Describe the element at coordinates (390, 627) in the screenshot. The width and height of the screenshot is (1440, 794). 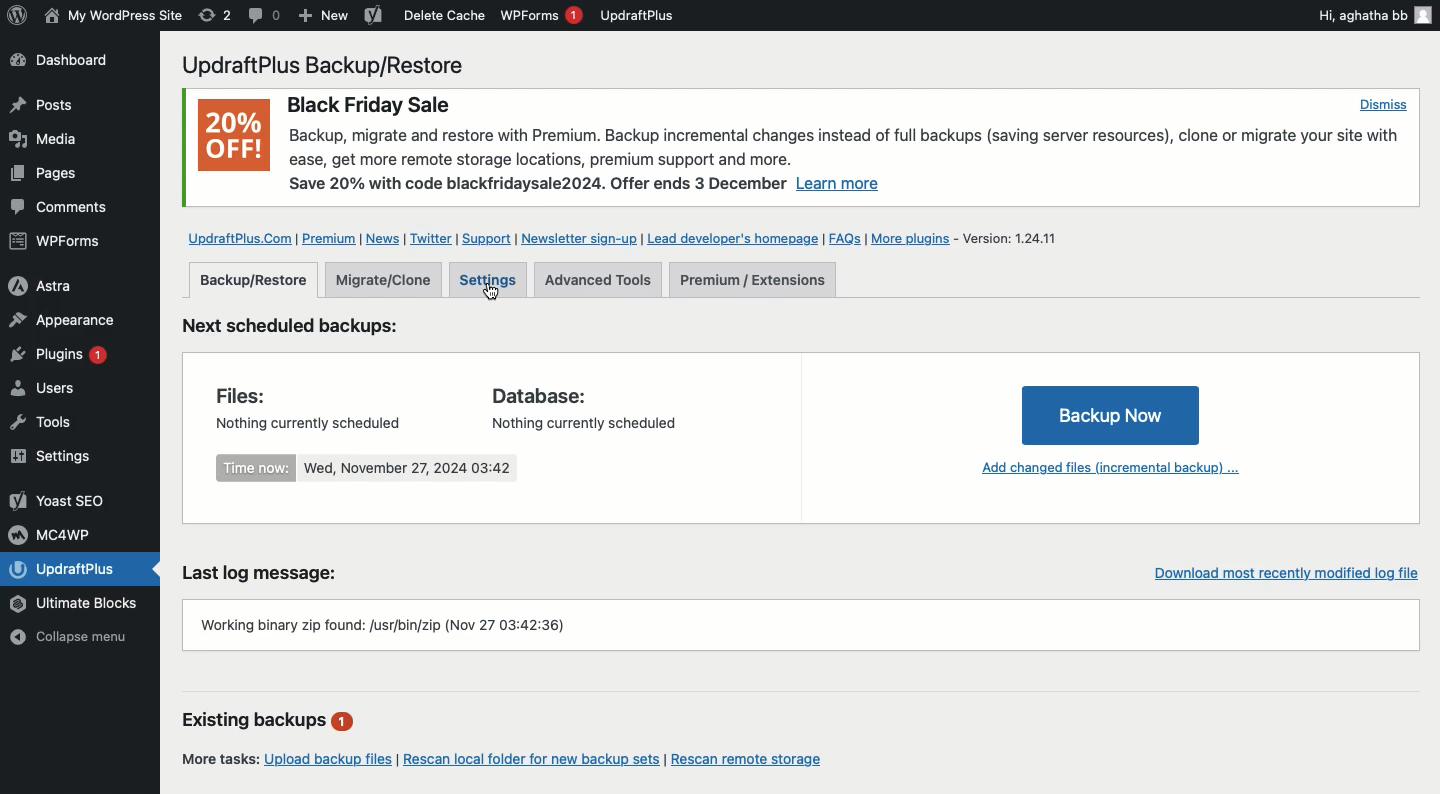
I see `Working binary zip found: /usr/bin/zip (Nov 27 03:42:36)` at that location.